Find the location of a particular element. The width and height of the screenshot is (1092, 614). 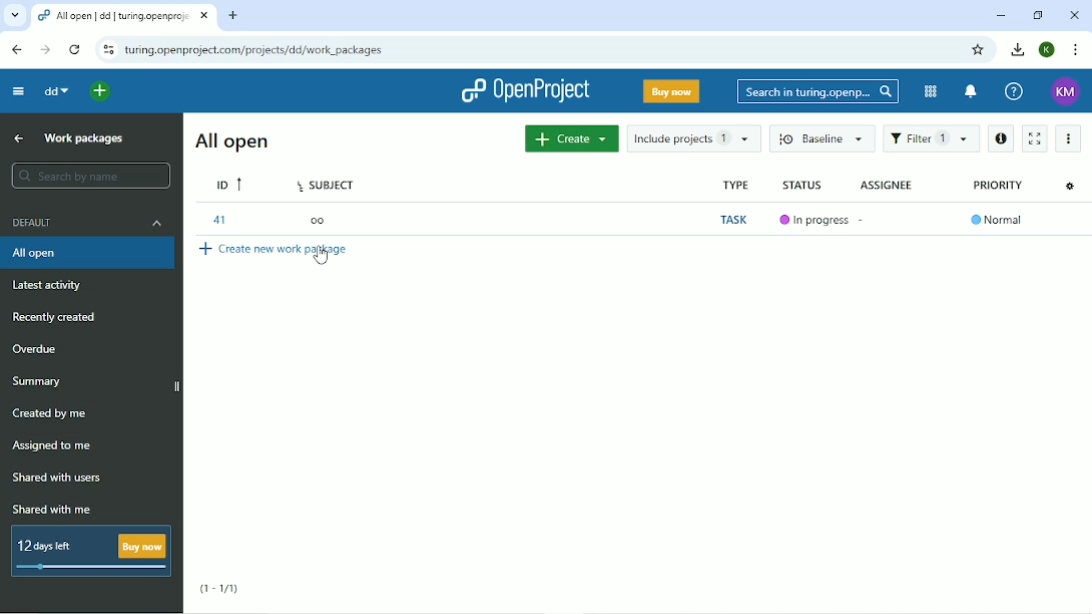

All open is located at coordinates (230, 141).